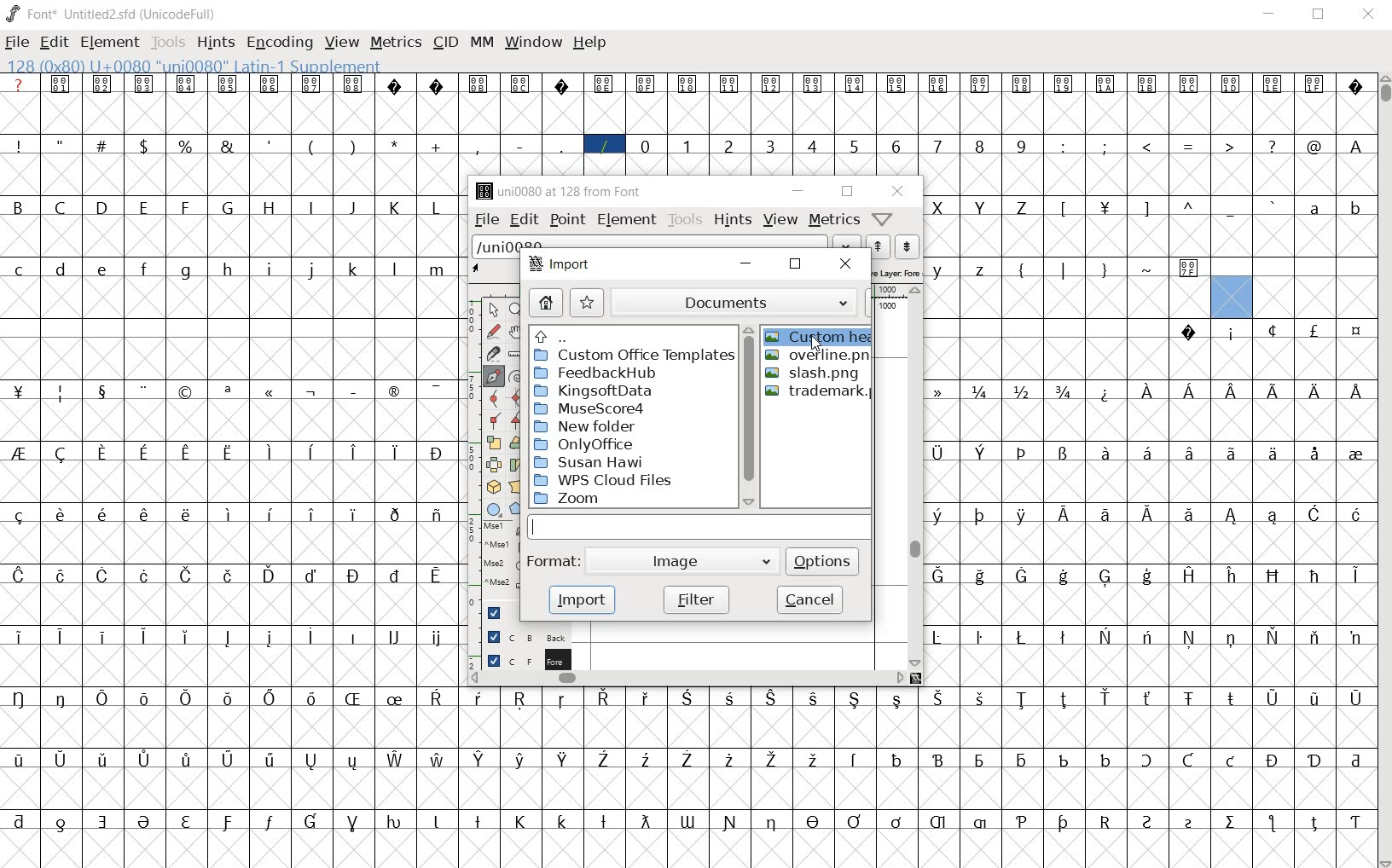  Describe the element at coordinates (687, 759) in the screenshot. I see `glyph` at that location.